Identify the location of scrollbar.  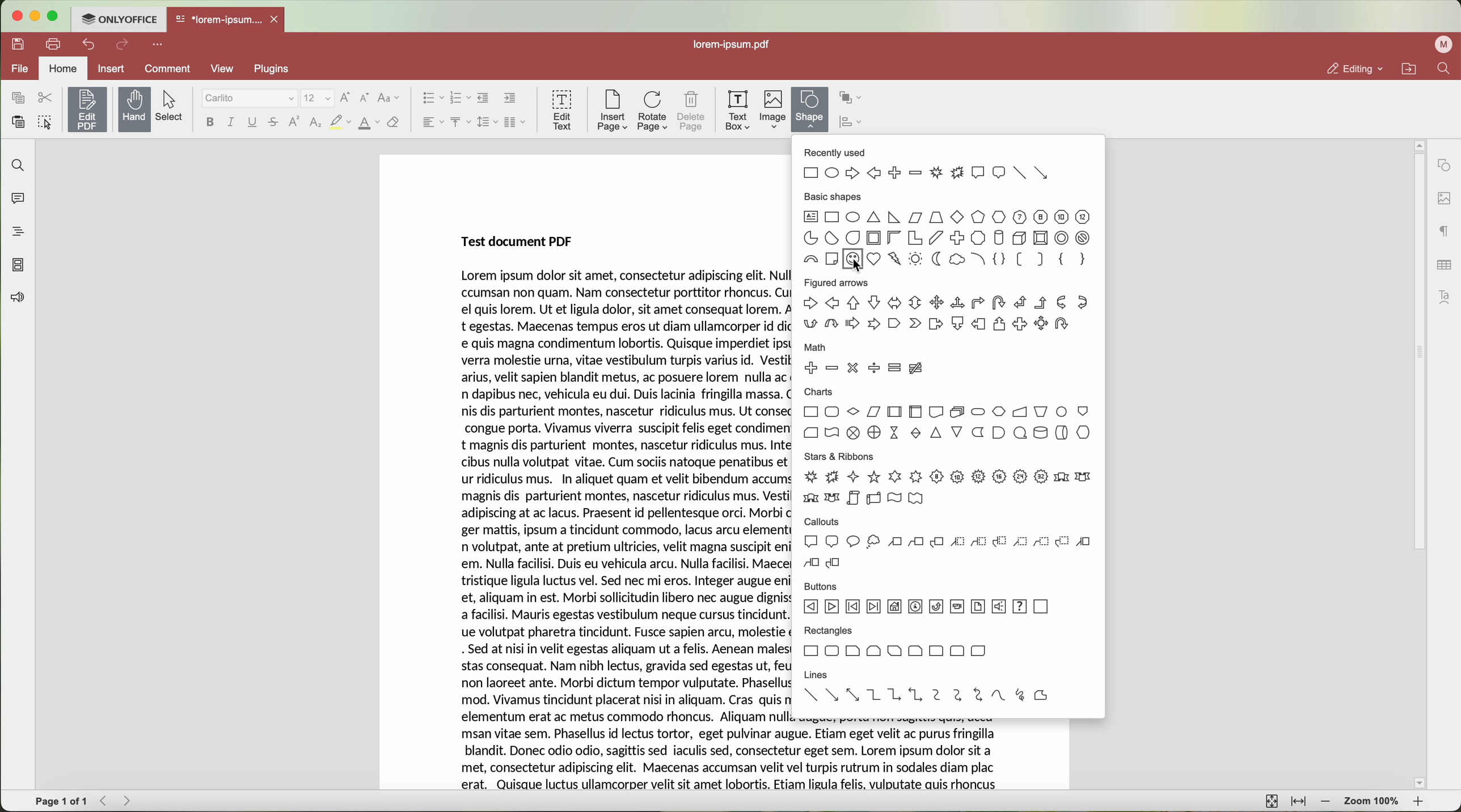
(1418, 464).